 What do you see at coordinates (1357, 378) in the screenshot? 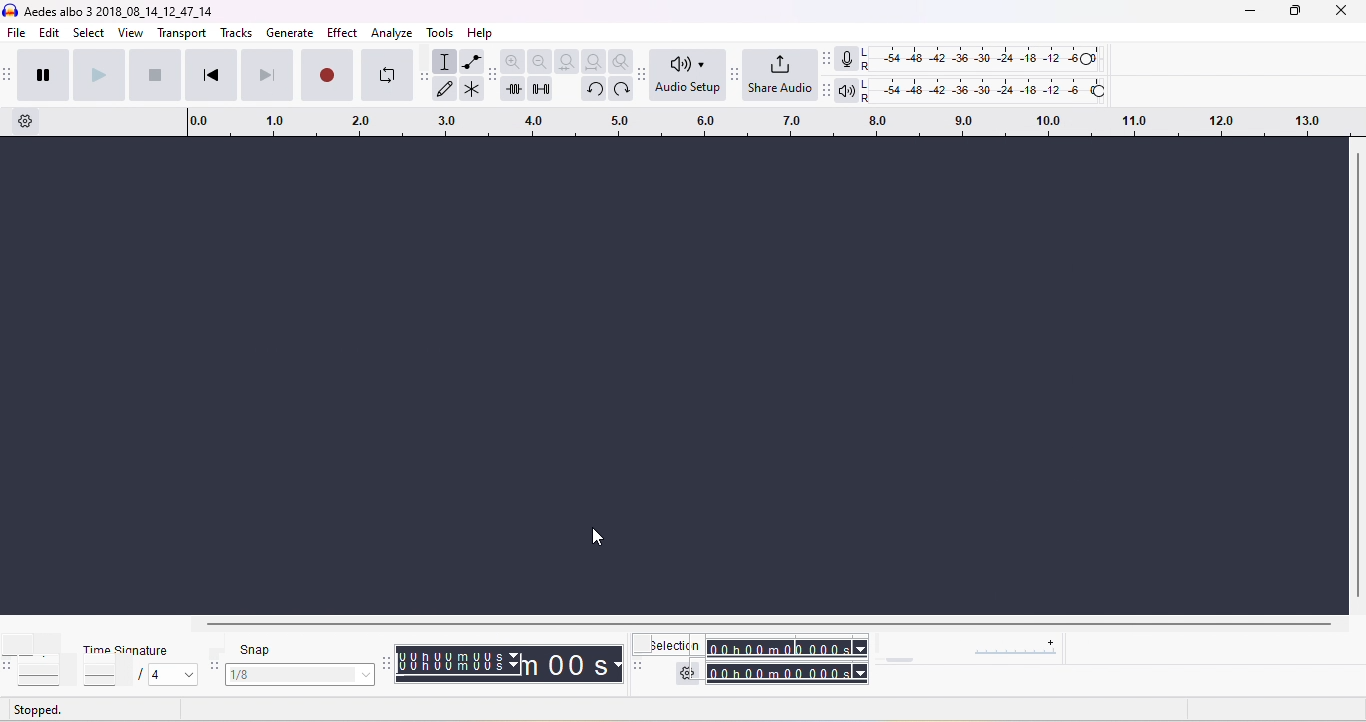
I see `vertical scroll bar` at bounding box center [1357, 378].